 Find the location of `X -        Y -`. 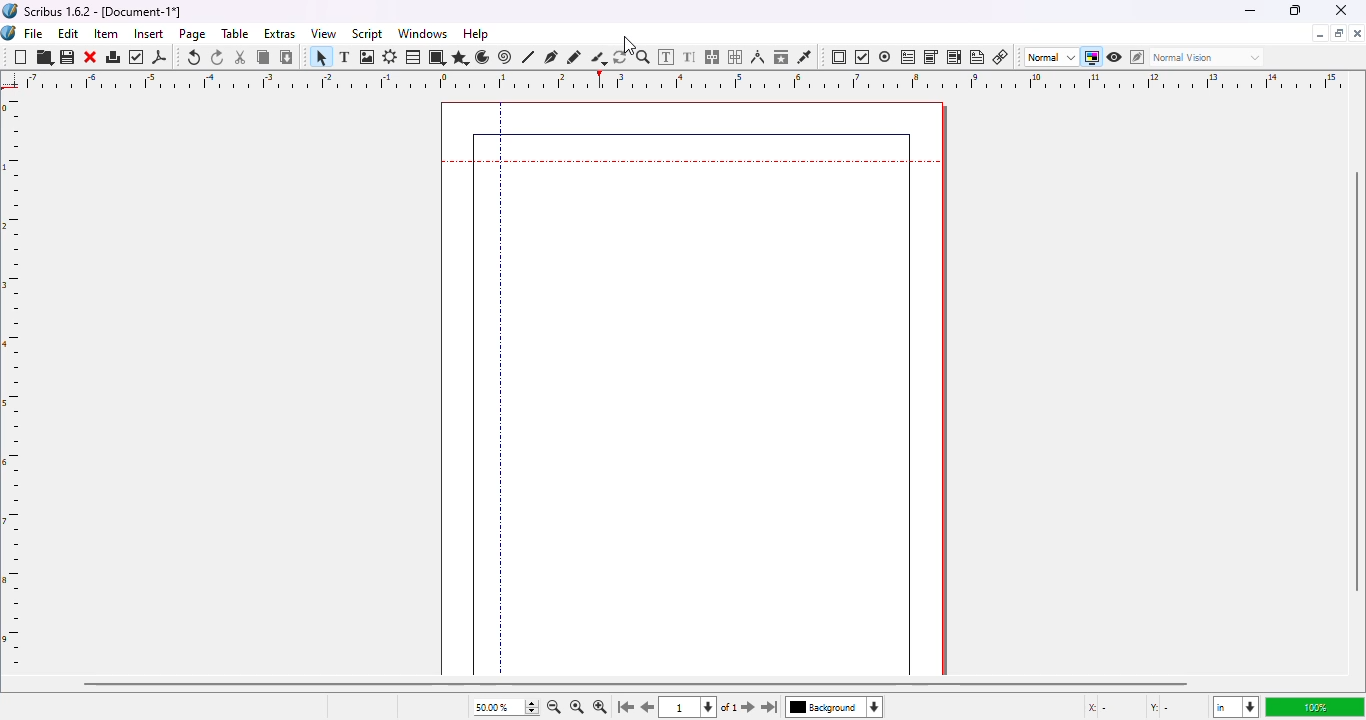

X -        Y - is located at coordinates (1131, 708).